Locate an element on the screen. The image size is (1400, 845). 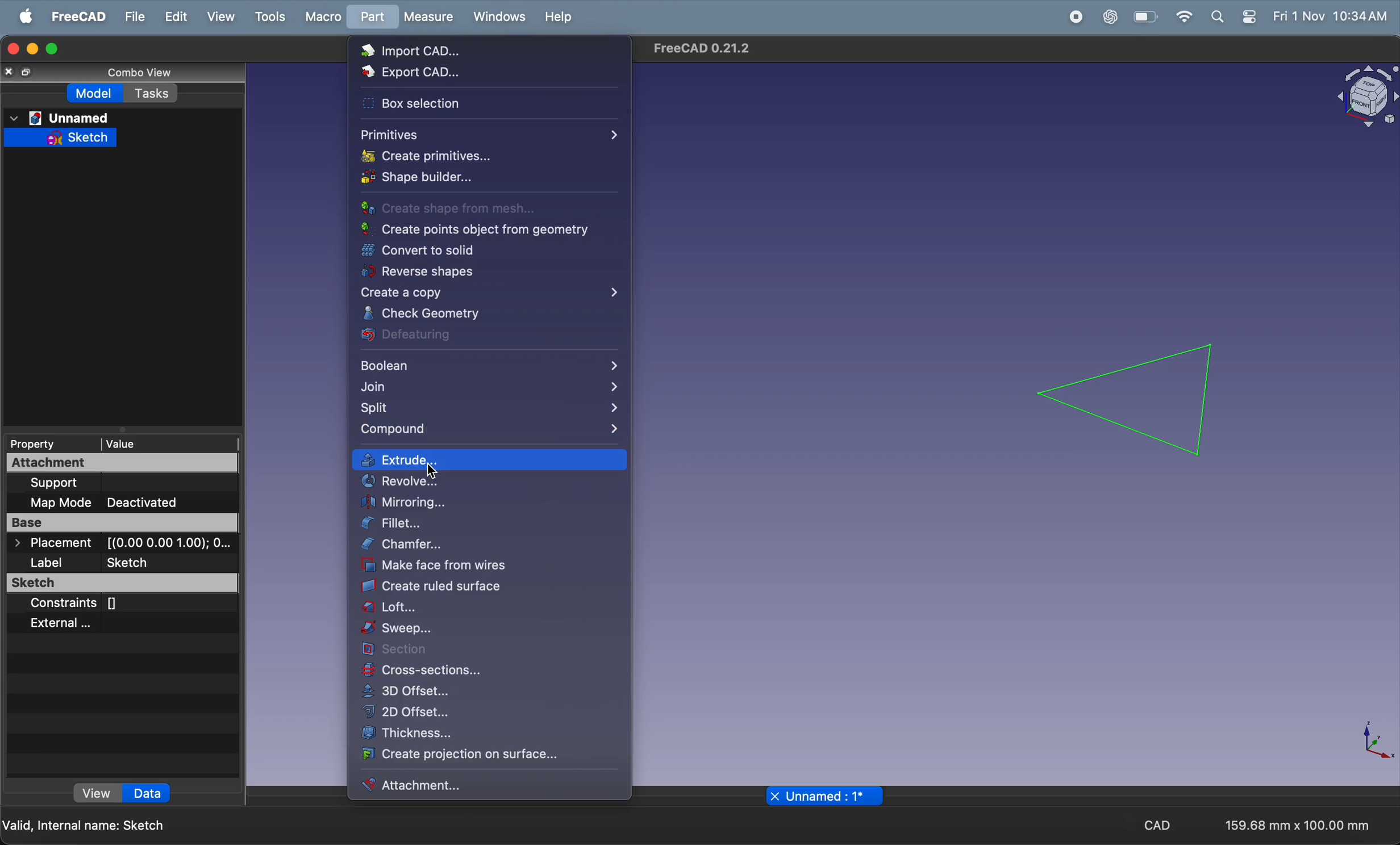
constraints [] is located at coordinates (109, 604).